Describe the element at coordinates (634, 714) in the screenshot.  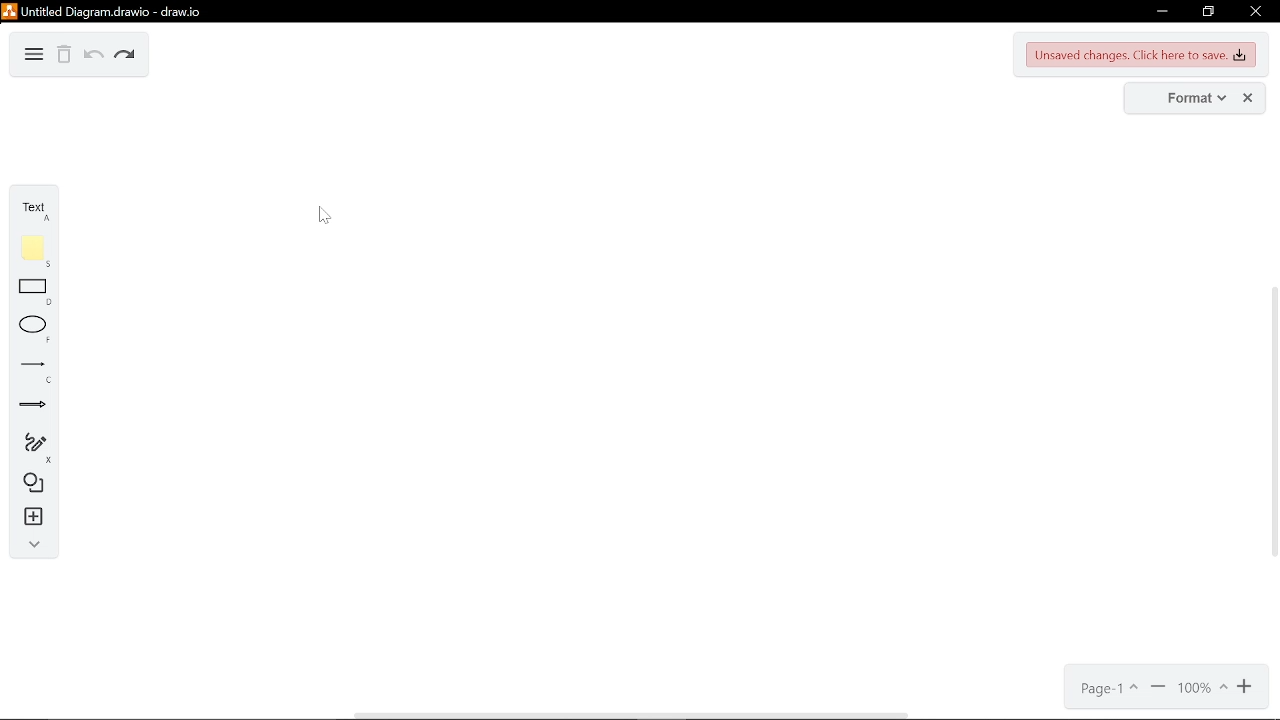
I see `horizontal scroll bar` at that location.